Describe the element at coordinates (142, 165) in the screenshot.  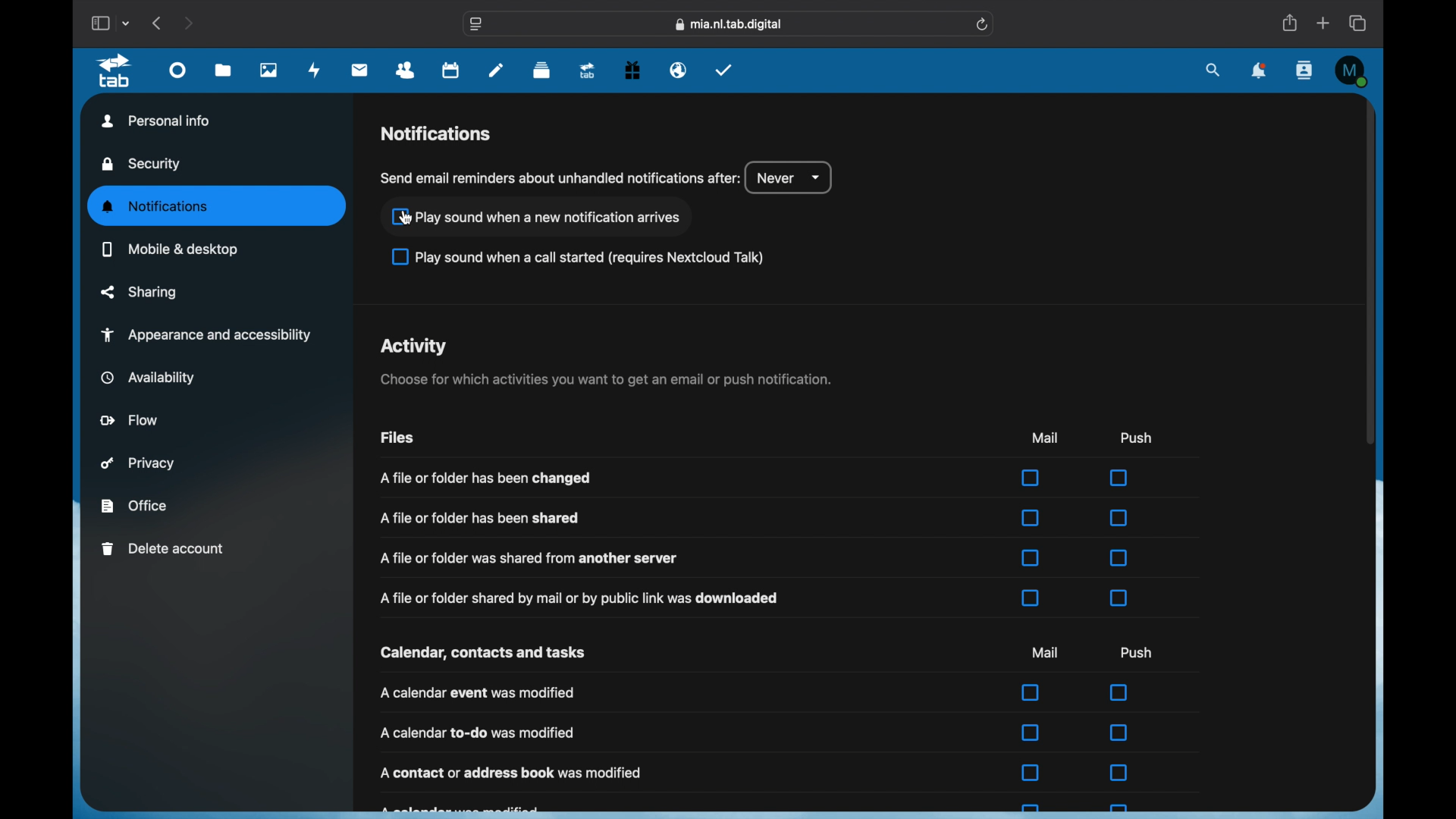
I see `security` at that location.